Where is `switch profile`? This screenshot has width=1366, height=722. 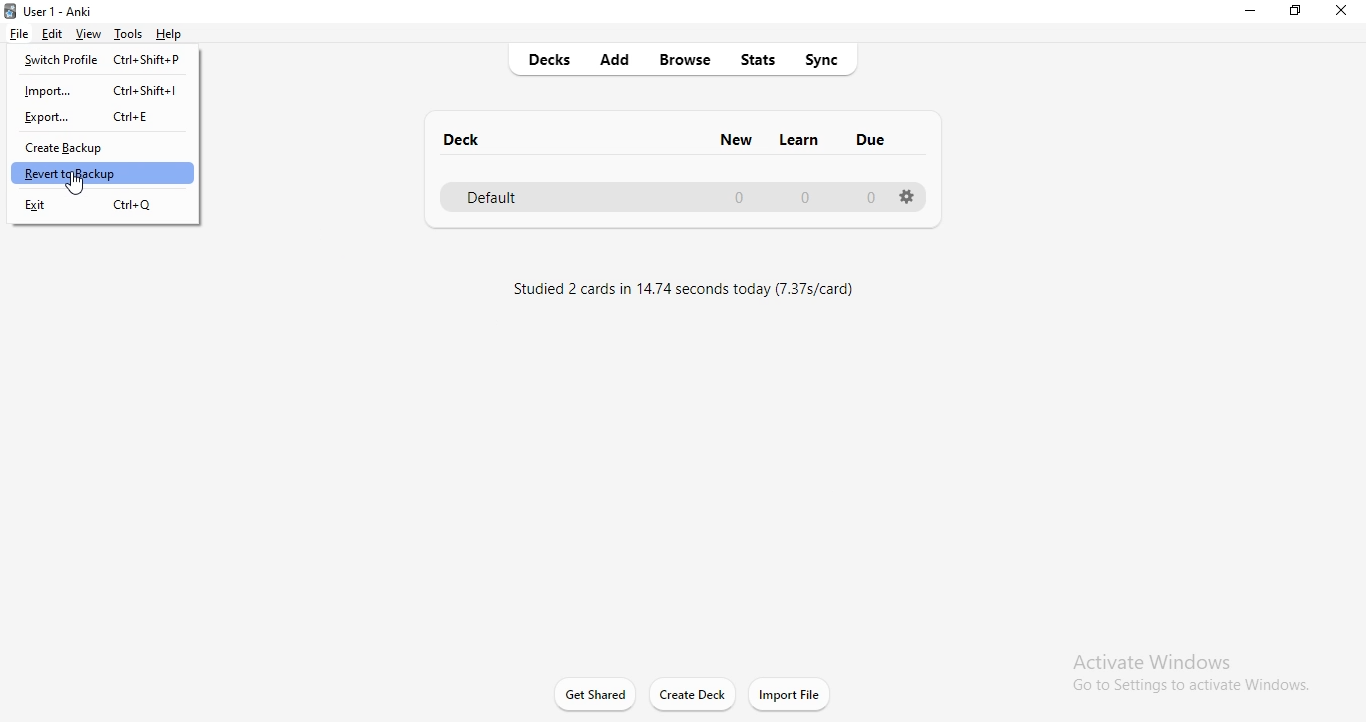
switch profile is located at coordinates (103, 63).